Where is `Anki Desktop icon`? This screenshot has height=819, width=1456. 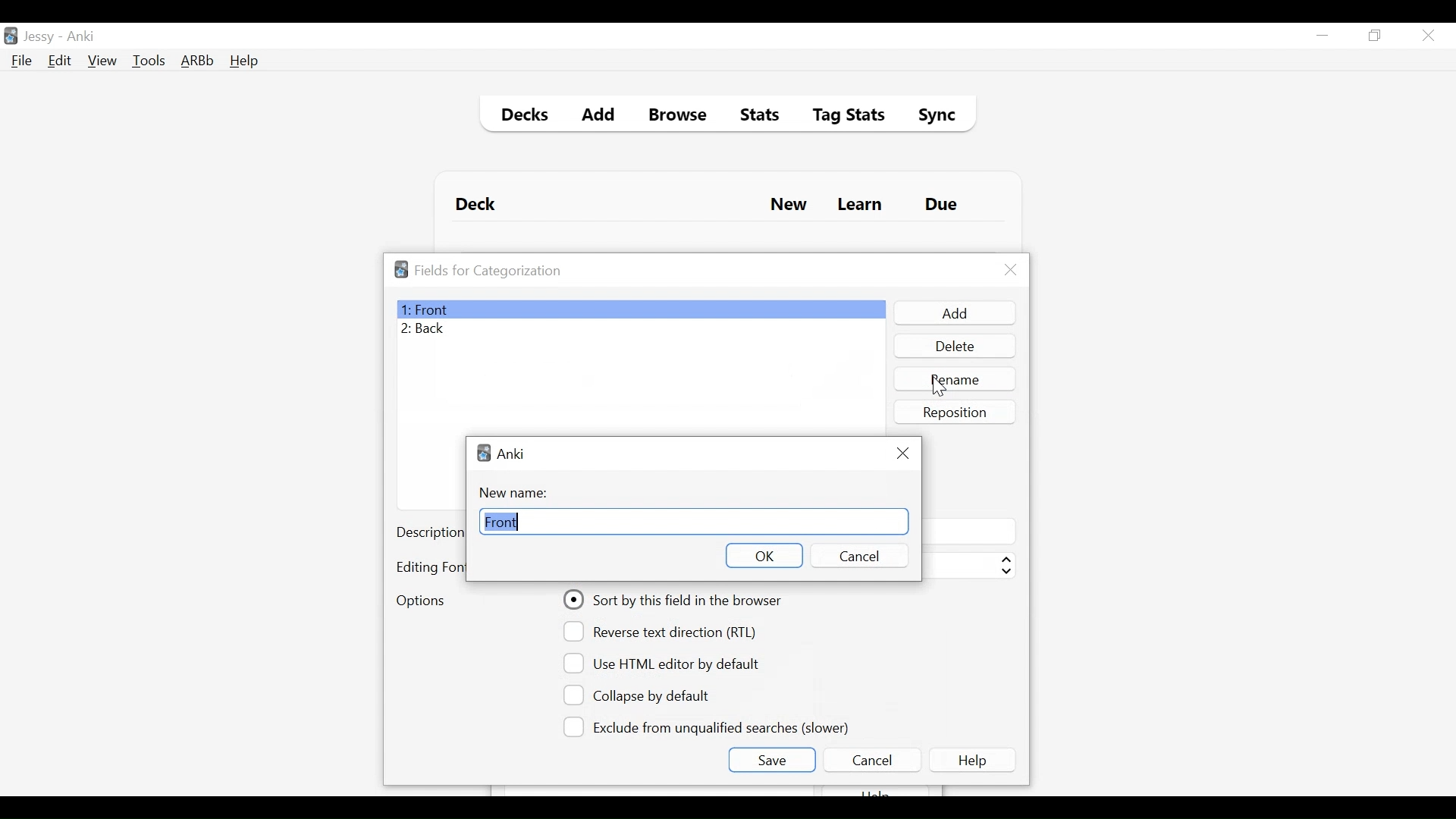
Anki Desktop icon is located at coordinates (11, 36).